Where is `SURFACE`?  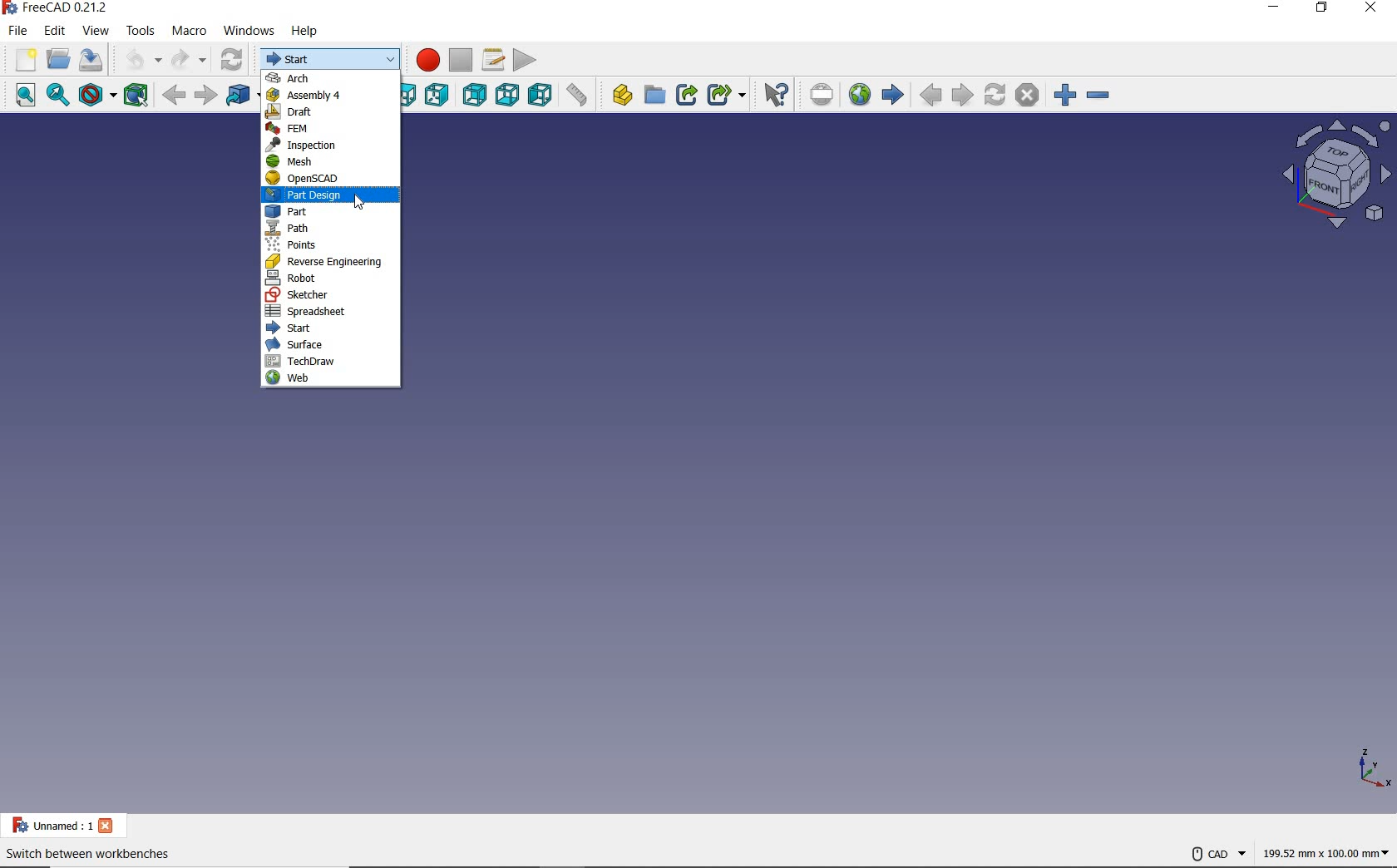 SURFACE is located at coordinates (332, 346).